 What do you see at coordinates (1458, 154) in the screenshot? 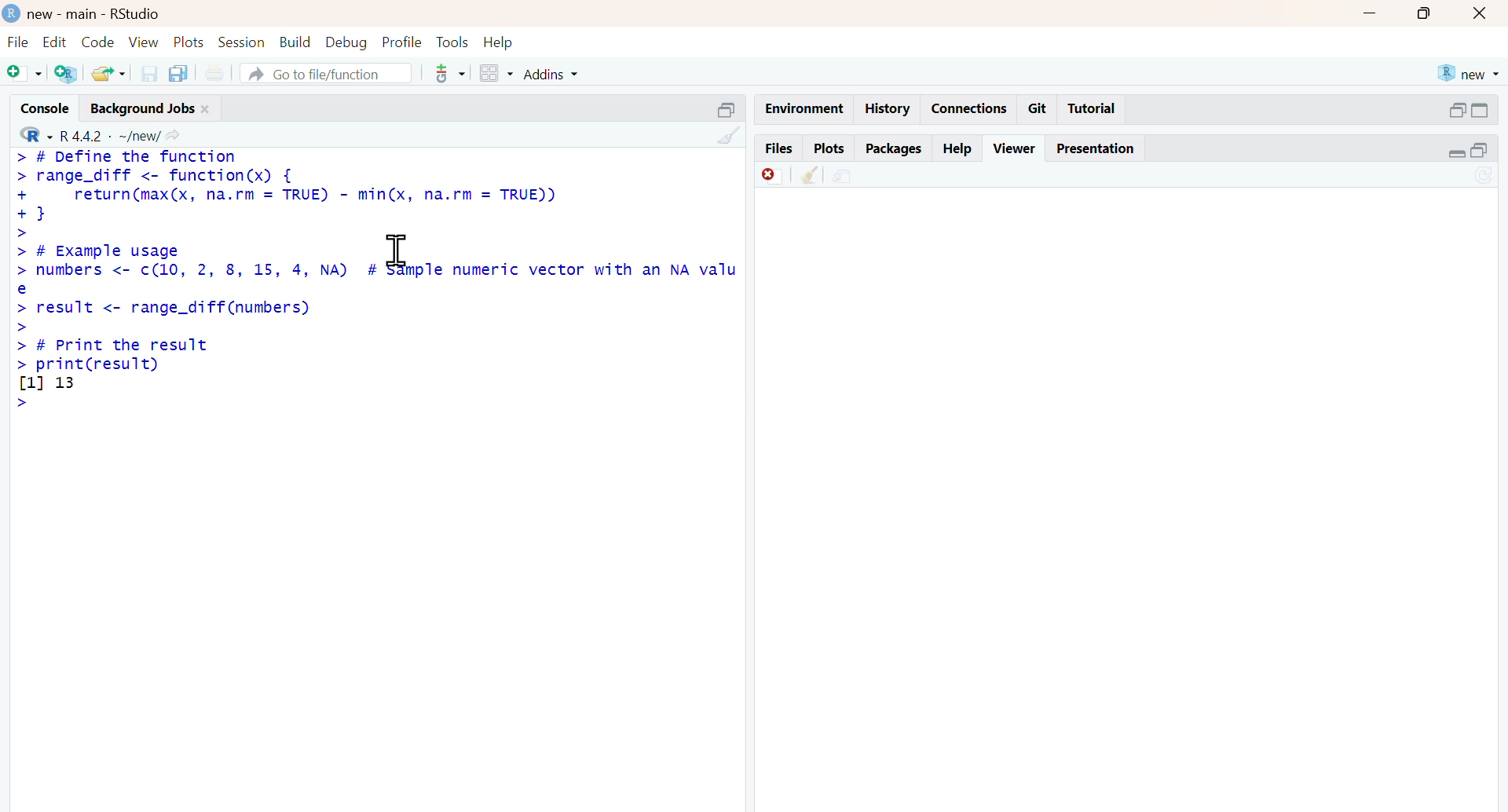
I see `Collapse /expand` at bounding box center [1458, 154].